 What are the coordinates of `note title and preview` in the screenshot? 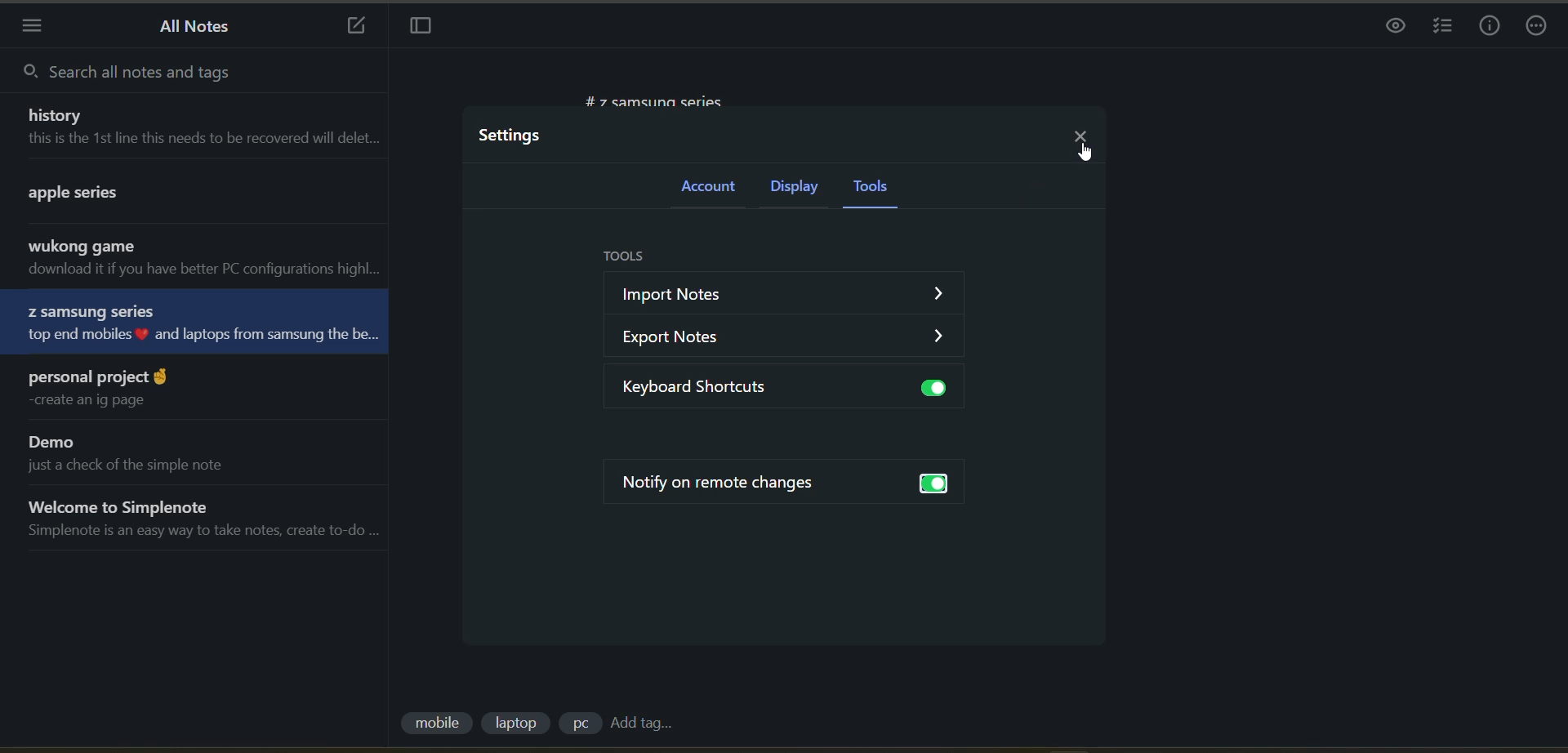 It's located at (161, 198).